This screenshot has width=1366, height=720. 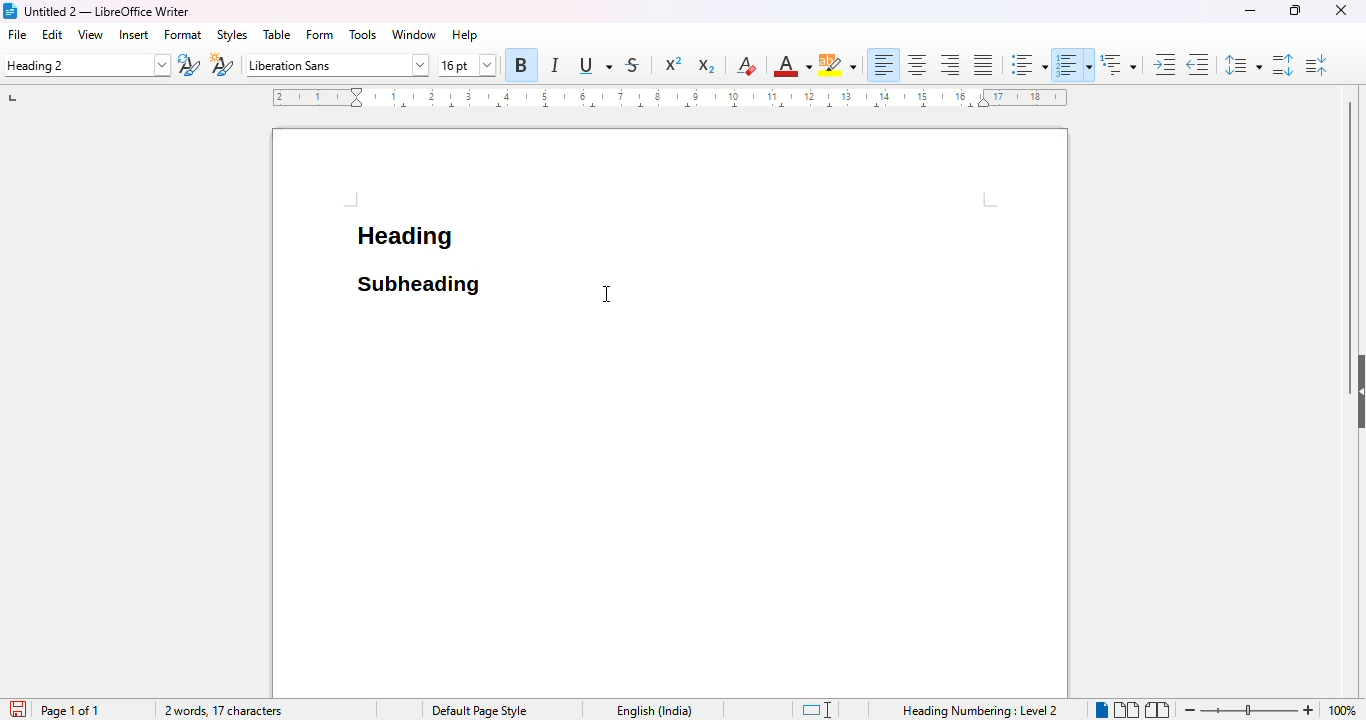 I want to click on superscript, so click(x=674, y=63).